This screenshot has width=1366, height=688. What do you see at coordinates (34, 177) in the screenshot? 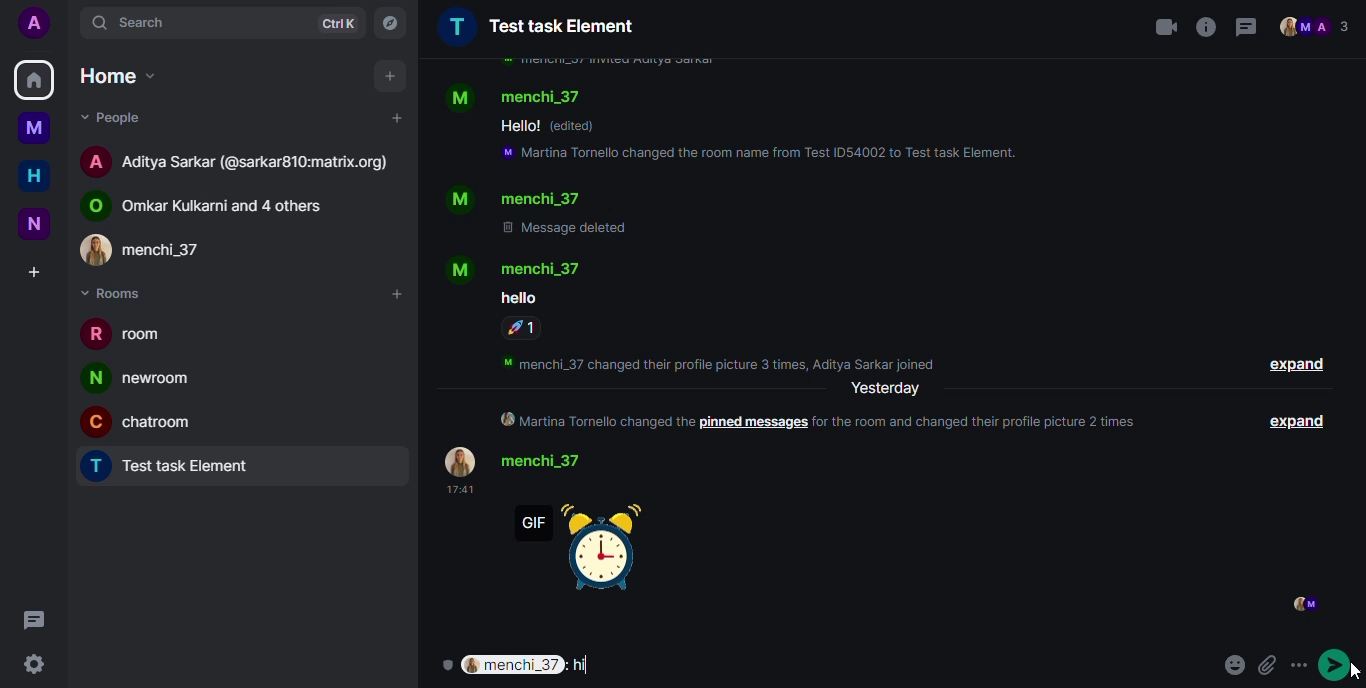
I see `home` at bounding box center [34, 177].